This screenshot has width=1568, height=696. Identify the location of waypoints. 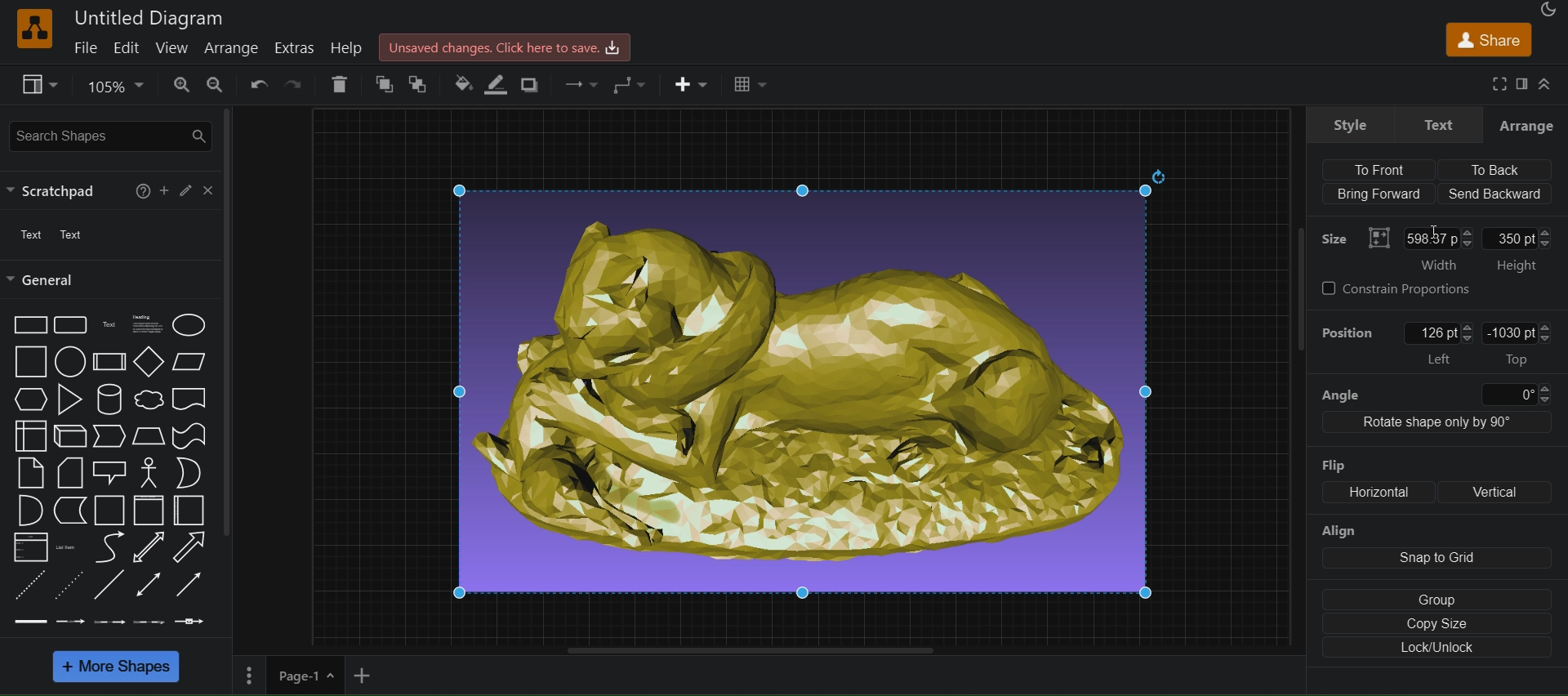
(579, 87).